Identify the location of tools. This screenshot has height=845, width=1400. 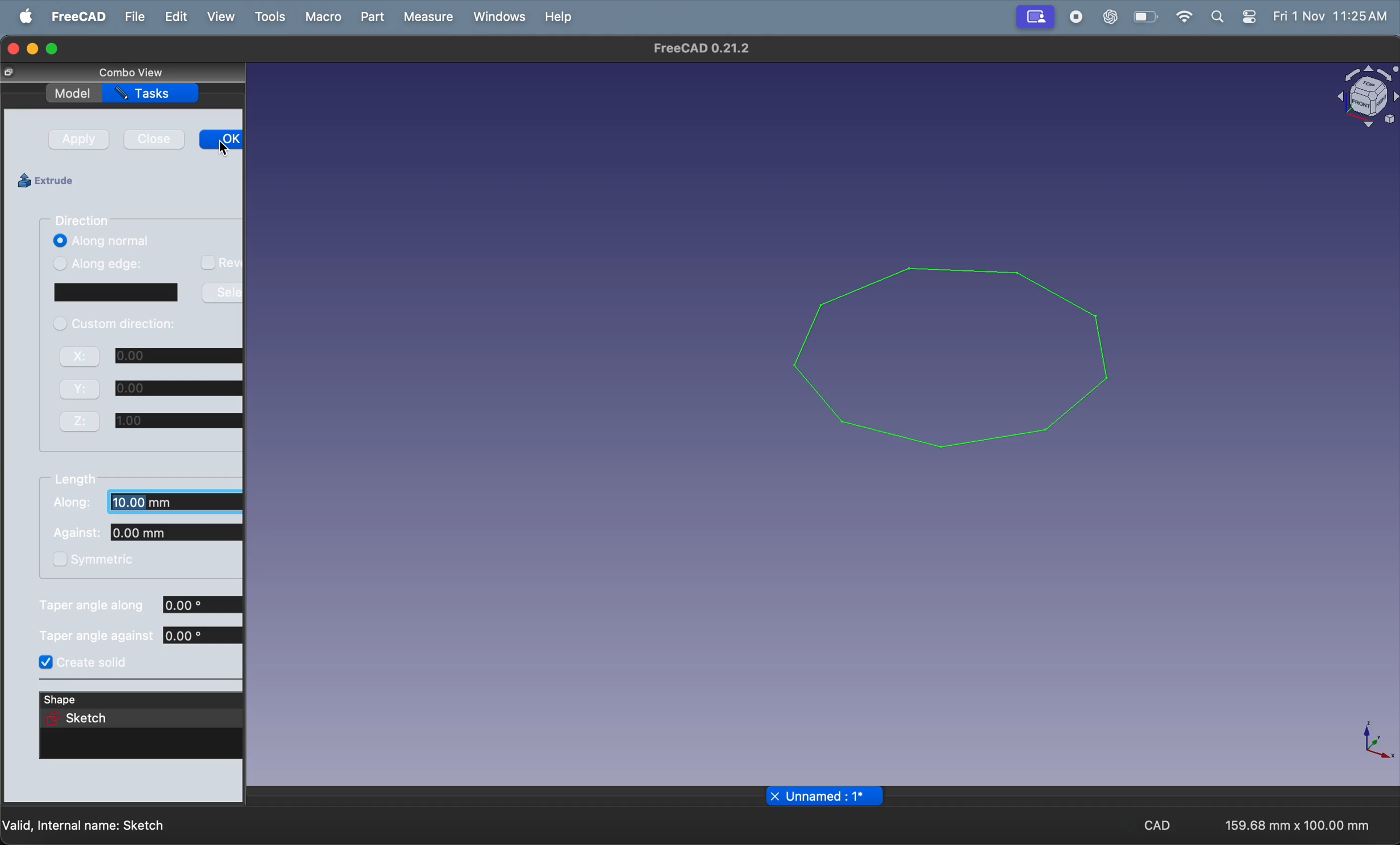
(268, 16).